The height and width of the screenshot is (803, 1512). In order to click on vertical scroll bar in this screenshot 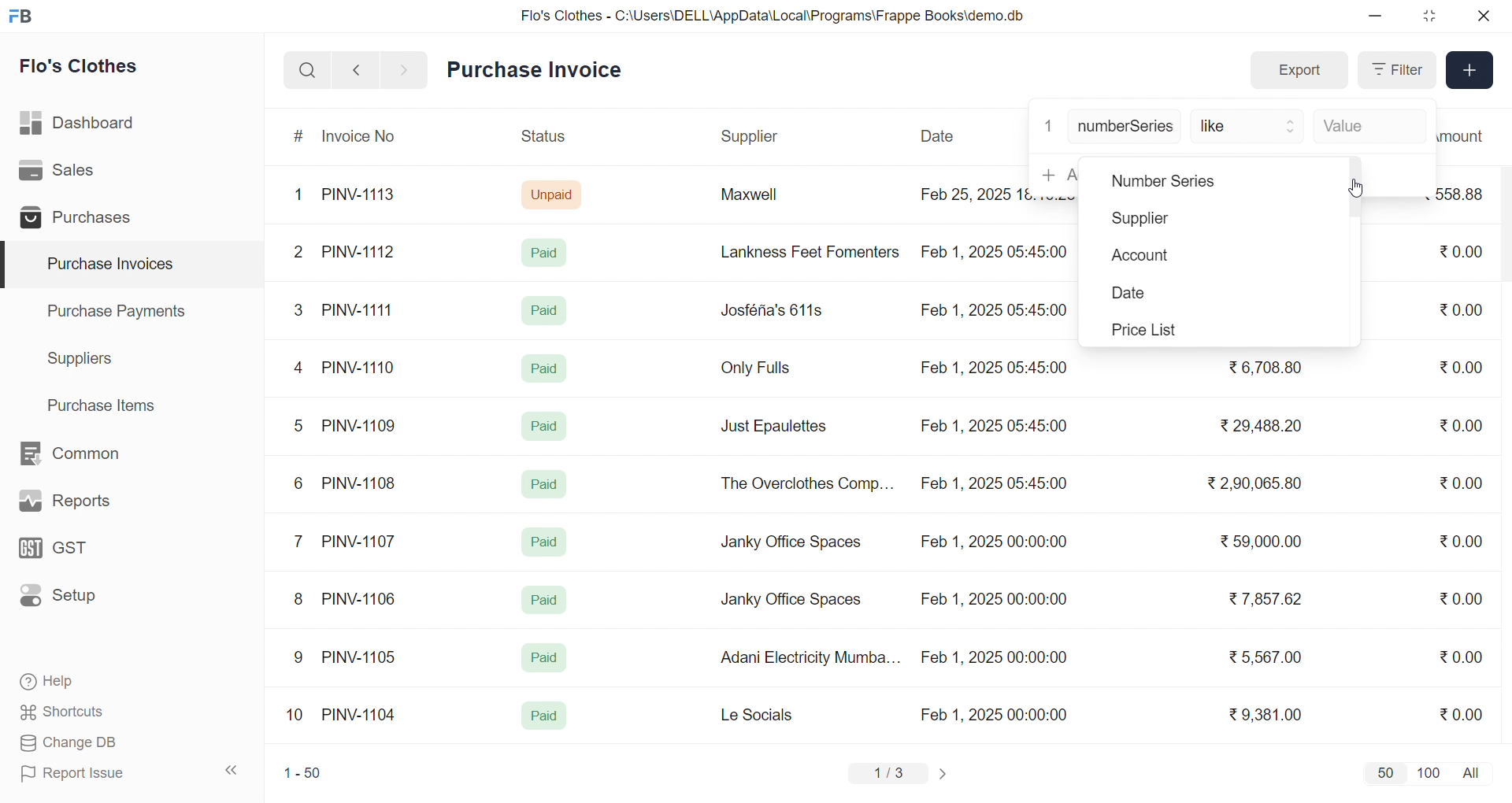, I will do `click(1354, 189)`.